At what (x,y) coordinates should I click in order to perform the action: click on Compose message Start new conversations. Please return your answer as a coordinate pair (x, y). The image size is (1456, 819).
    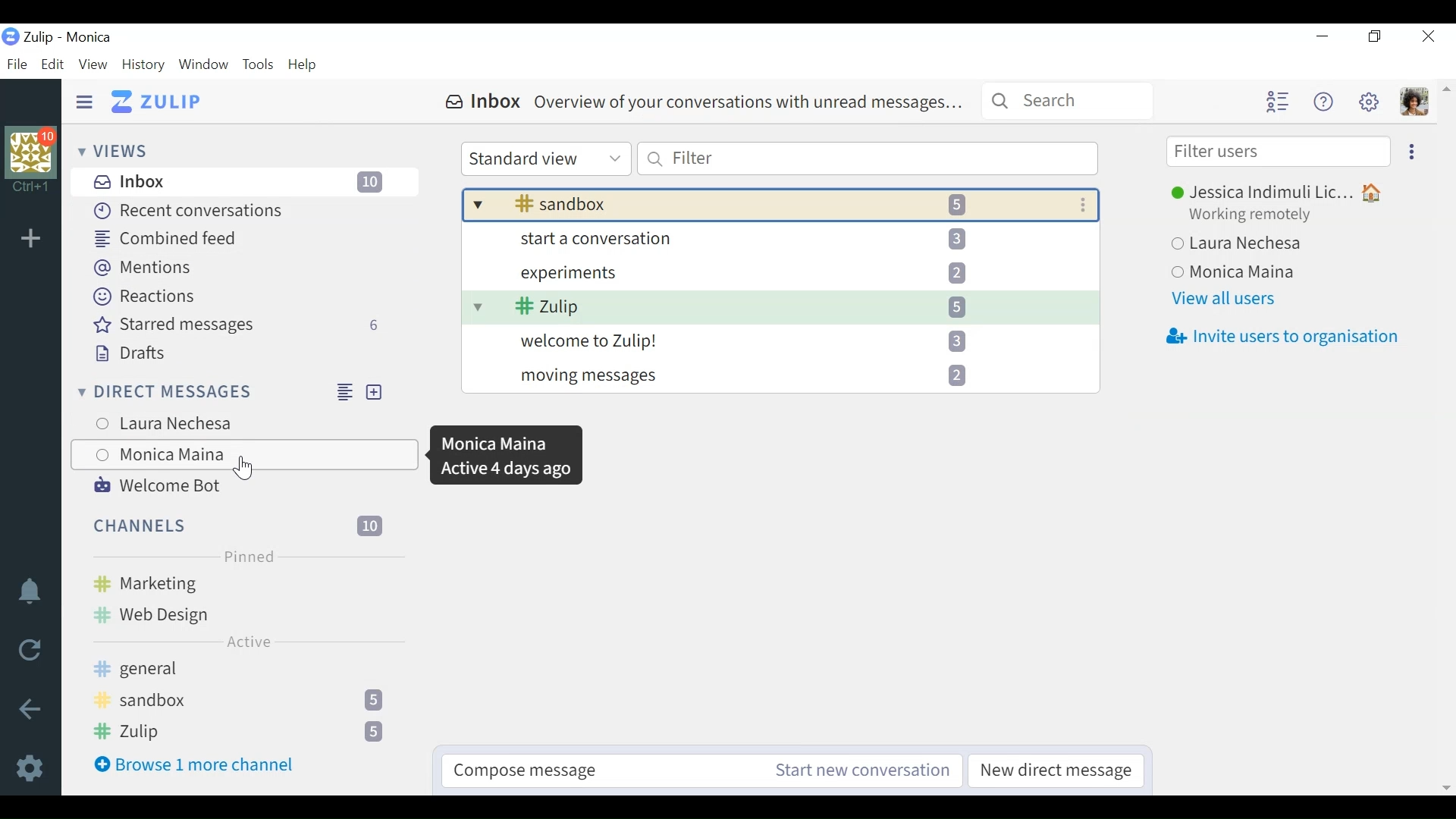
    Looking at the image, I should click on (702, 770).